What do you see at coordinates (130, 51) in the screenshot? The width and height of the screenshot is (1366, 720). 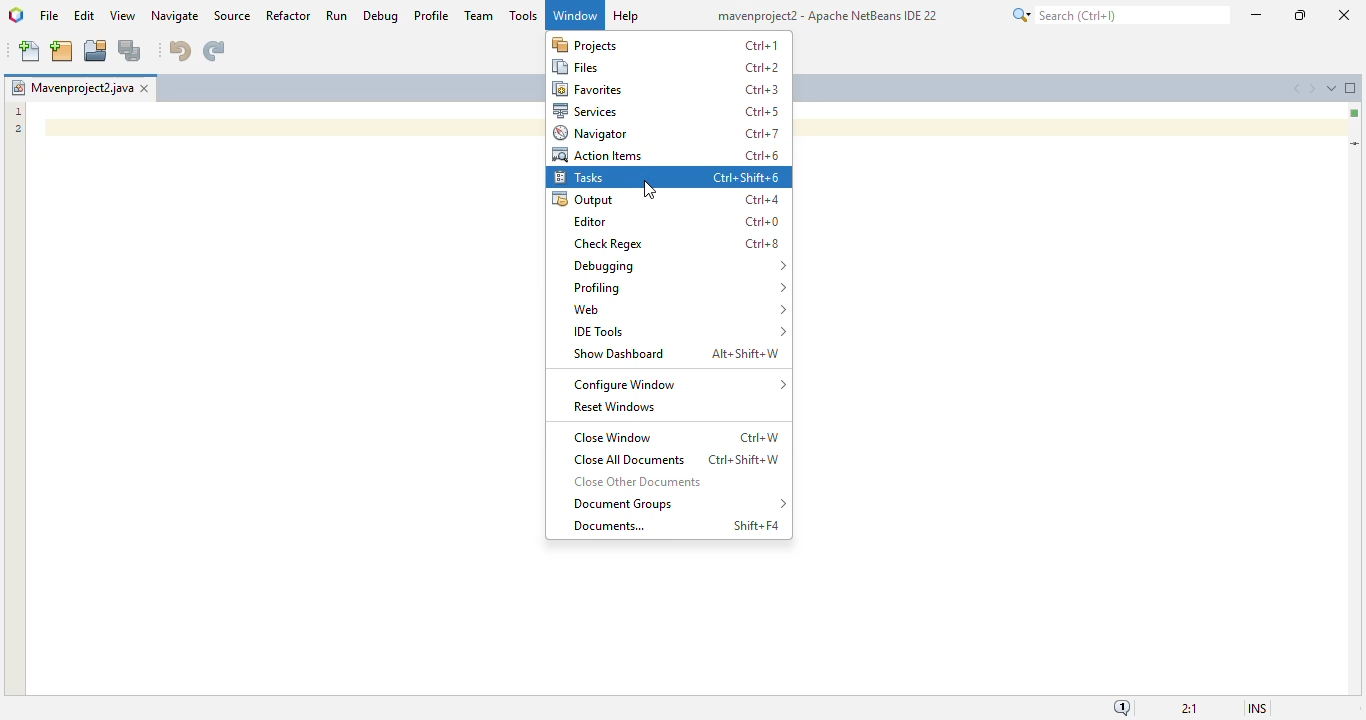 I see `save all` at bounding box center [130, 51].